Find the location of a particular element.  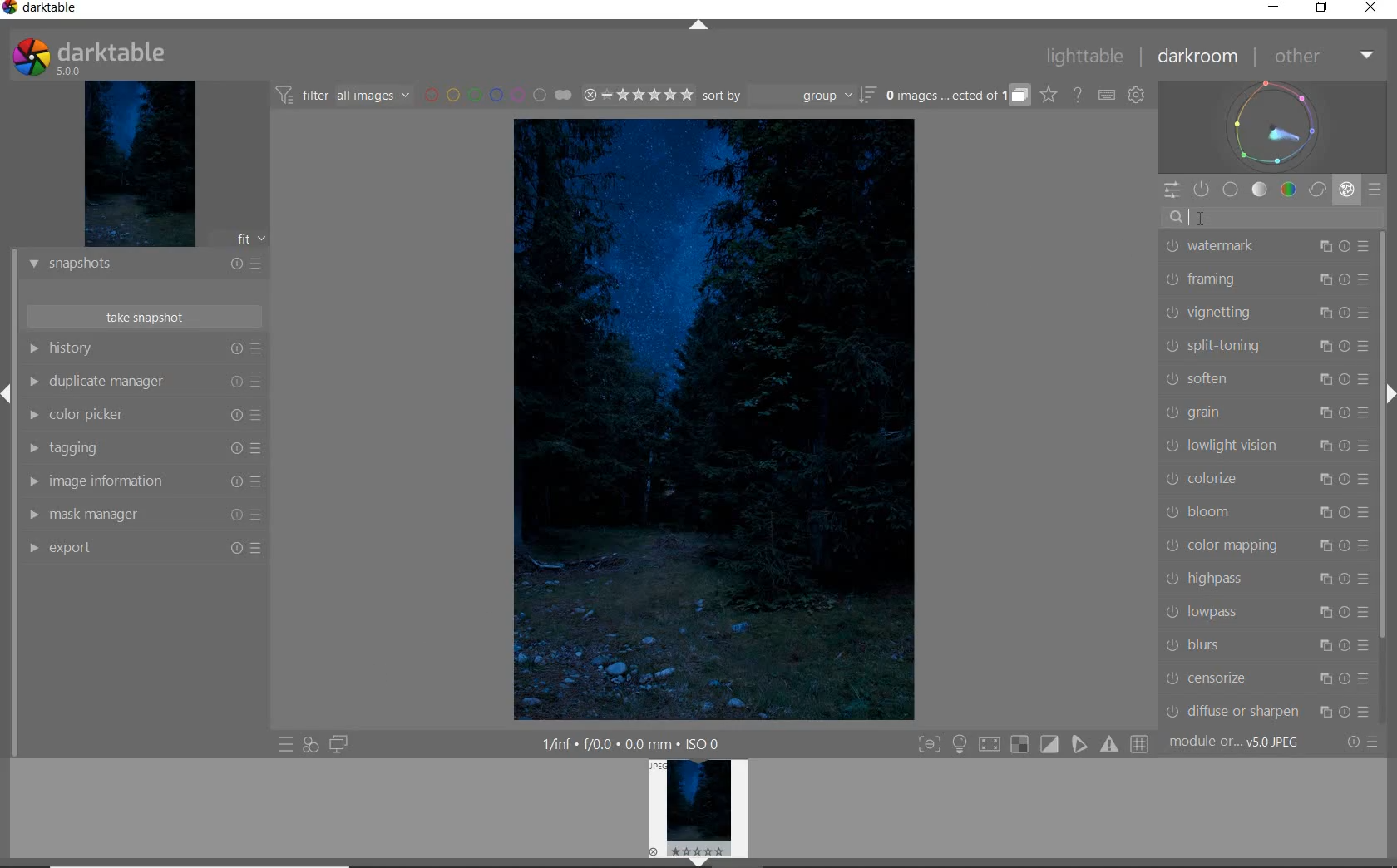

SORT is located at coordinates (789, 96).